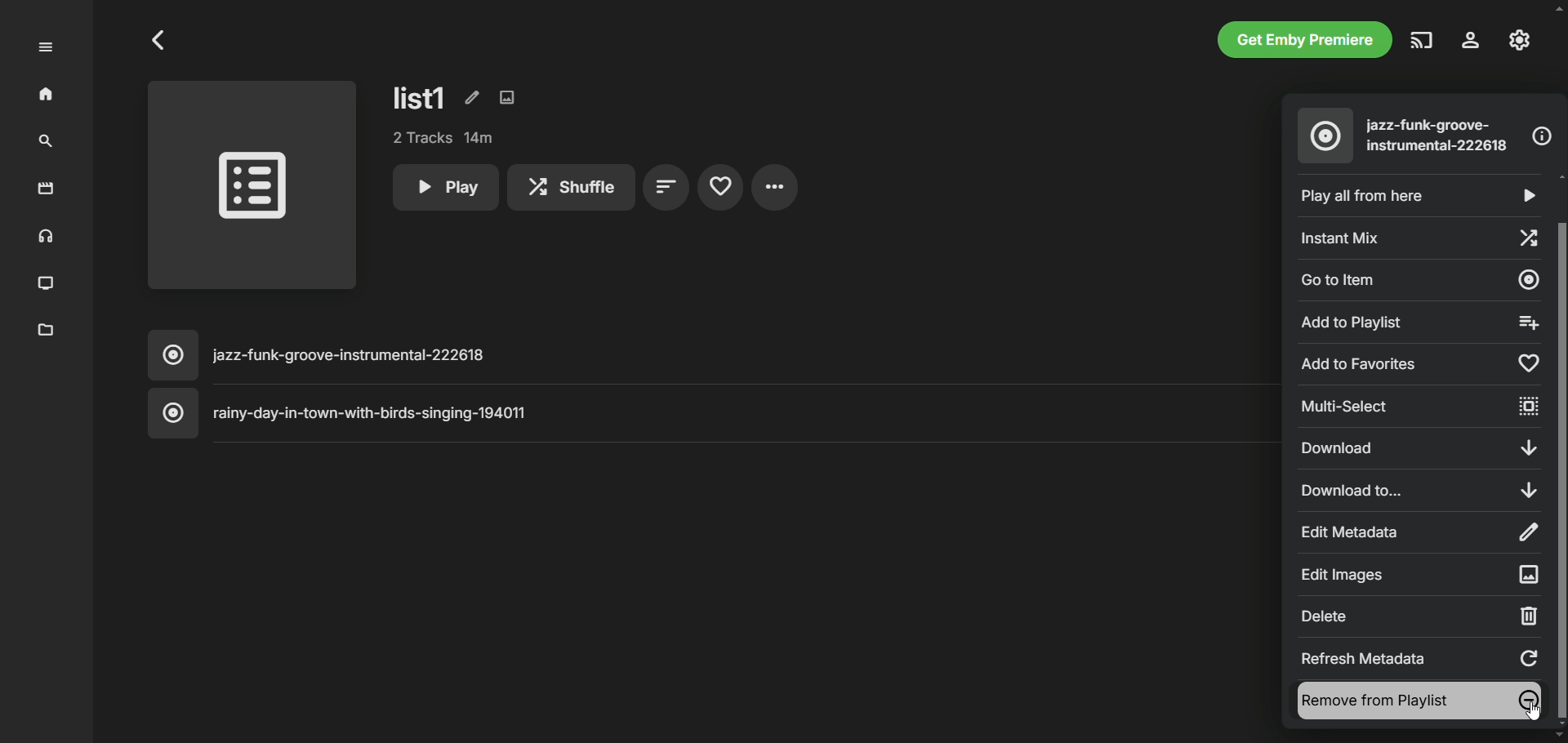  What do you see at coordinates (1417, 574) in the screenshot?
I see `Edit images` at bounding box center [1417, 574].